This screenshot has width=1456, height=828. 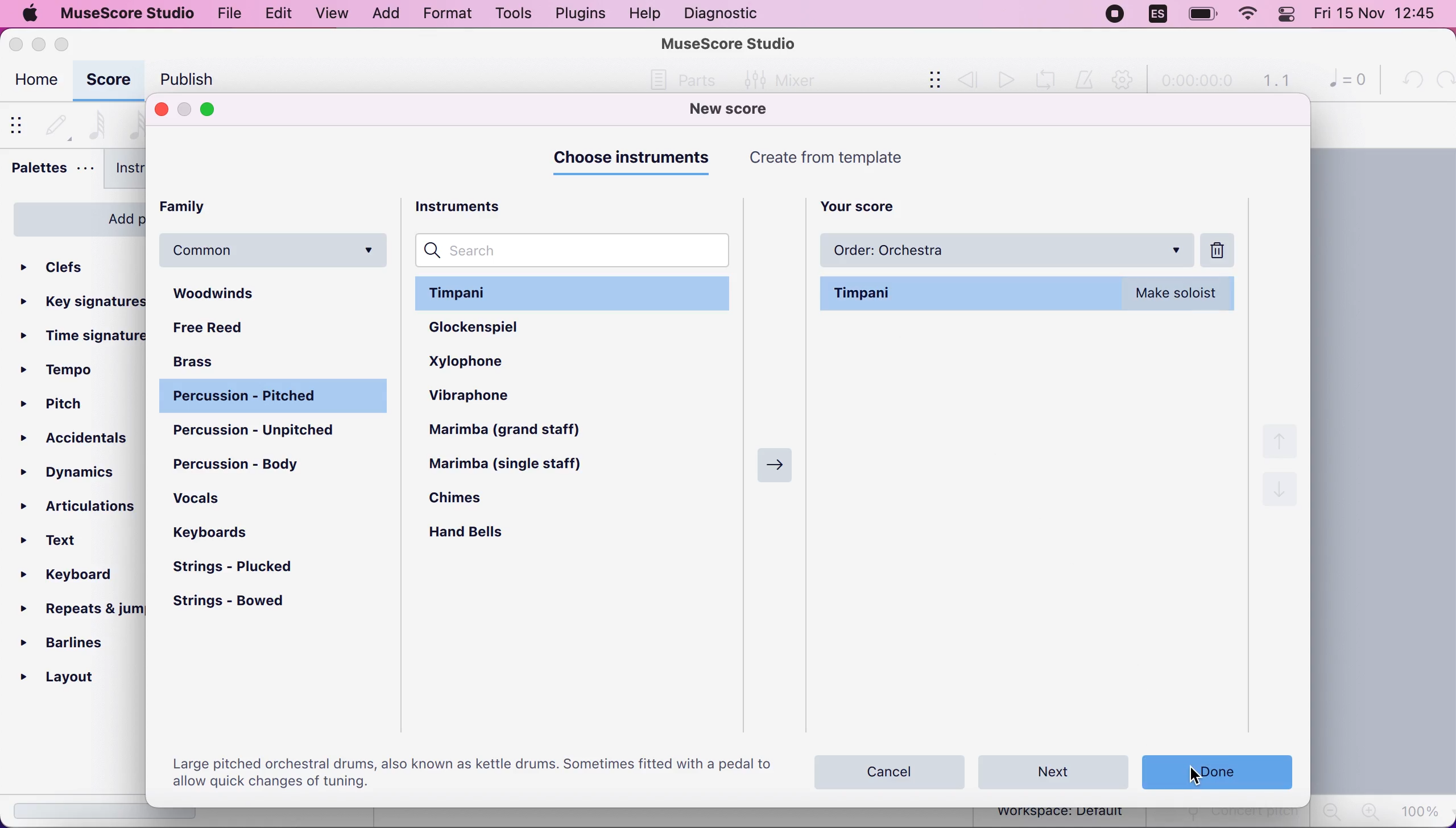 What do you see at coordinates (62, 370) in the screenshot?
I see `tempo` at bounding box center [62, 370].